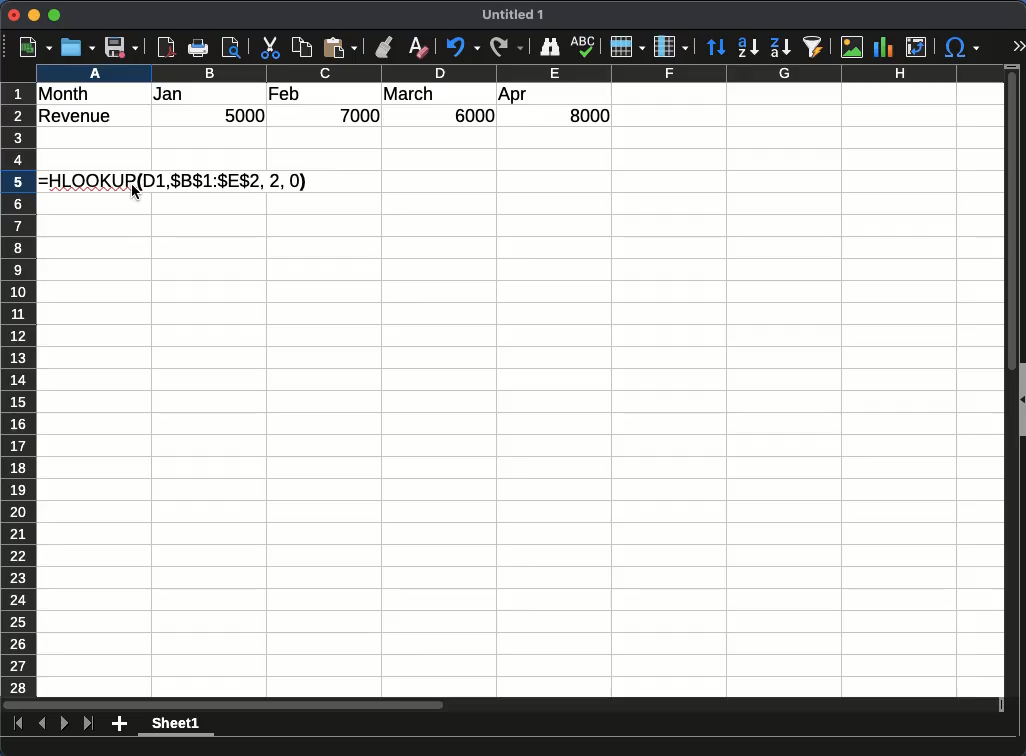  What do you see at coordinates (18, 390) in the screenshot?
I see `rows` at bounding box center [18, 390].